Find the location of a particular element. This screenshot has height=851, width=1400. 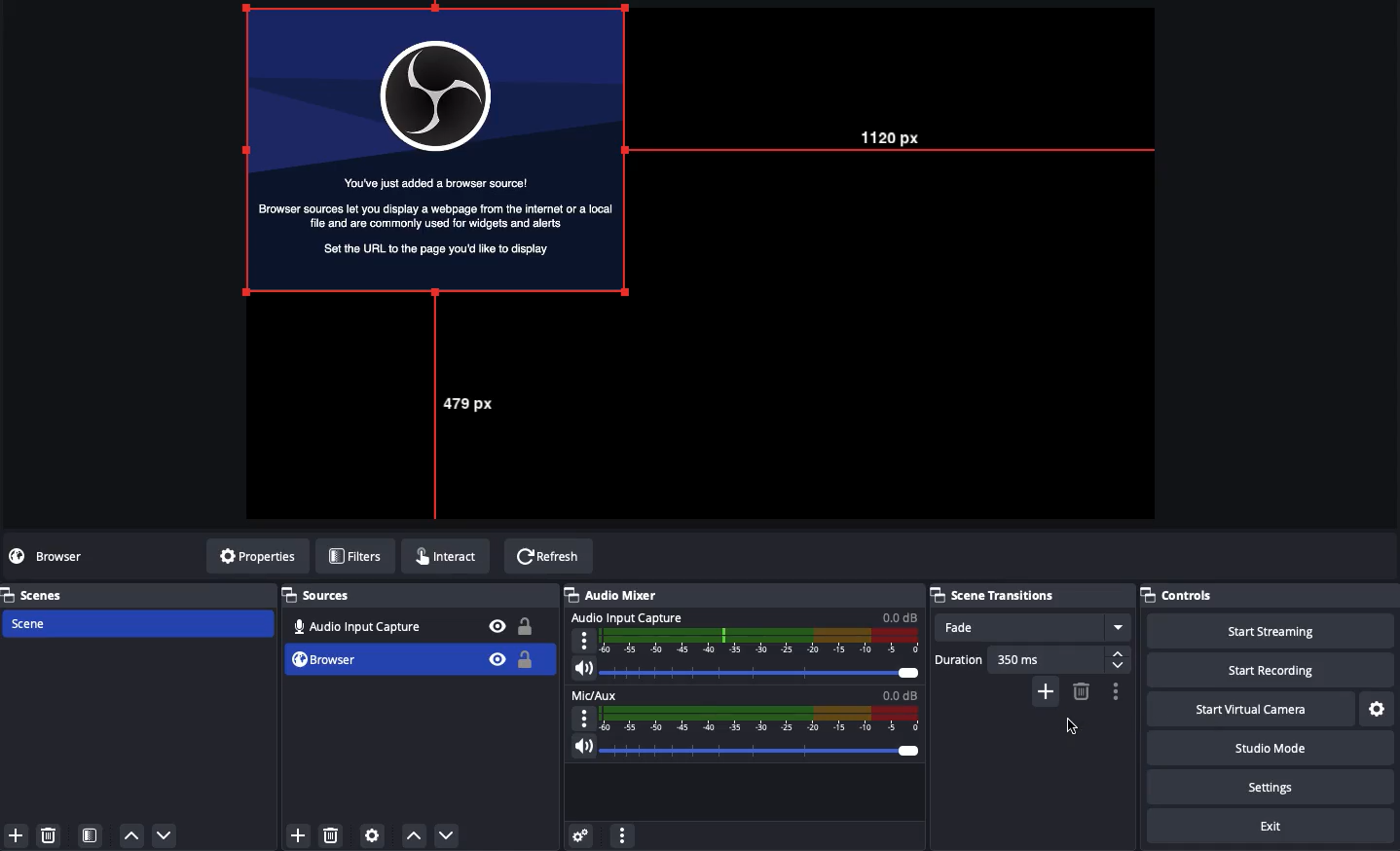

Move up is located at coordinates (413, 837).